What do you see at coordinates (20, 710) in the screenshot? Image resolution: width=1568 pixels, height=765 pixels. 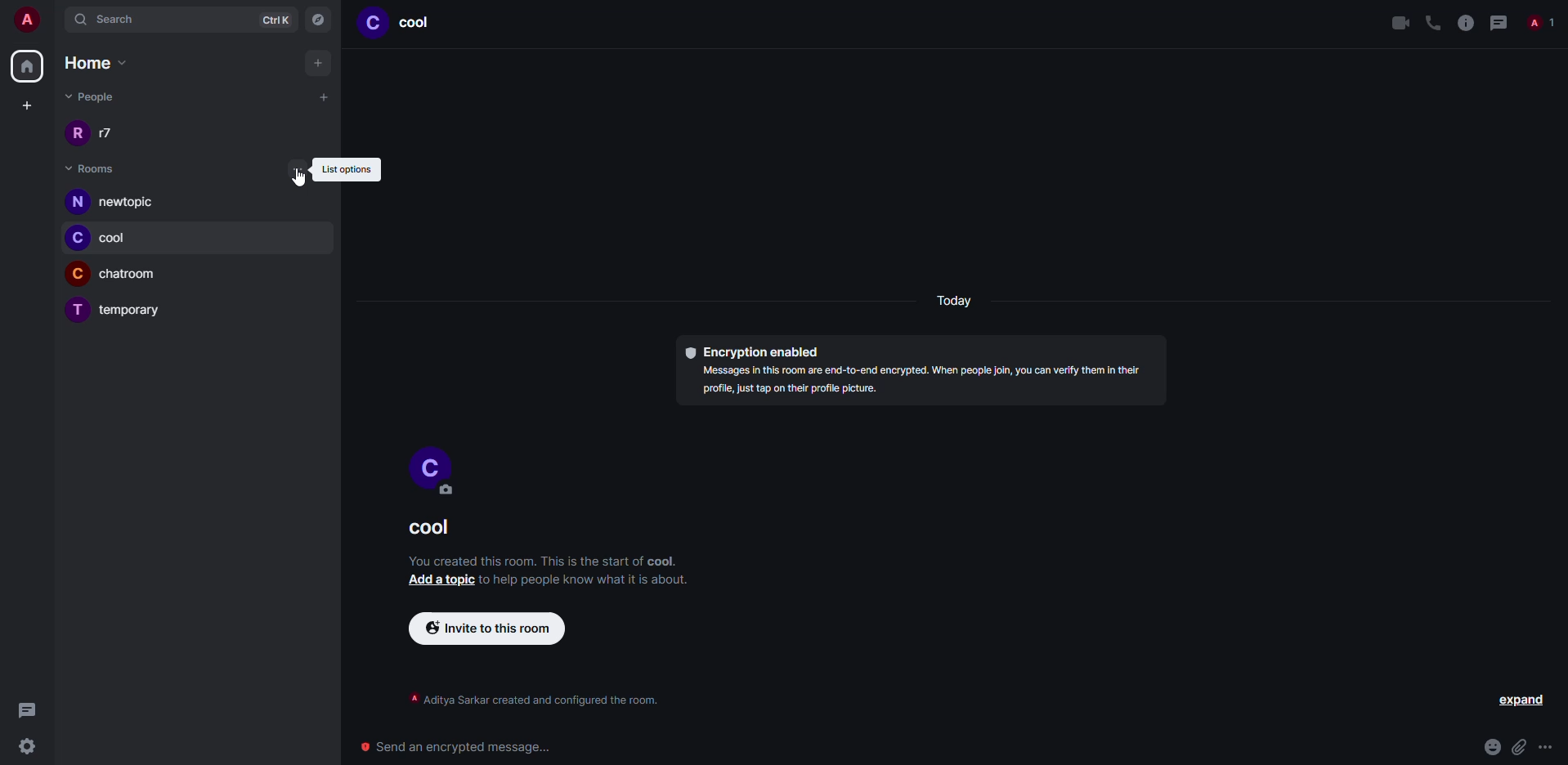 I see `threads` at bounding box center [20, 710].